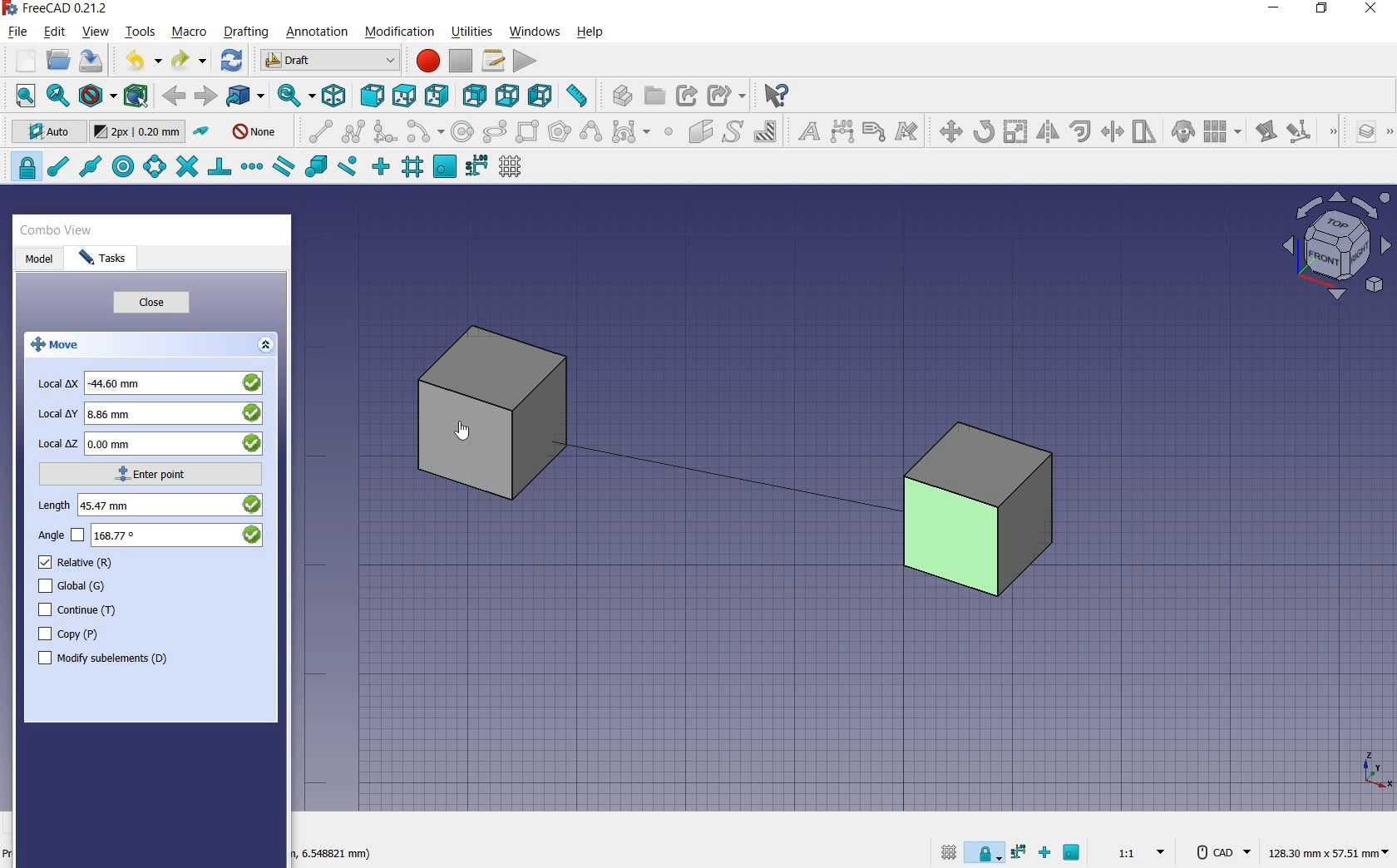 Image resolution: width=1397 pixels, height=868 pixels. What do you see at coordinates (400, 32) in the screenshot?
I see `modification` at bounding box center [400, 32].